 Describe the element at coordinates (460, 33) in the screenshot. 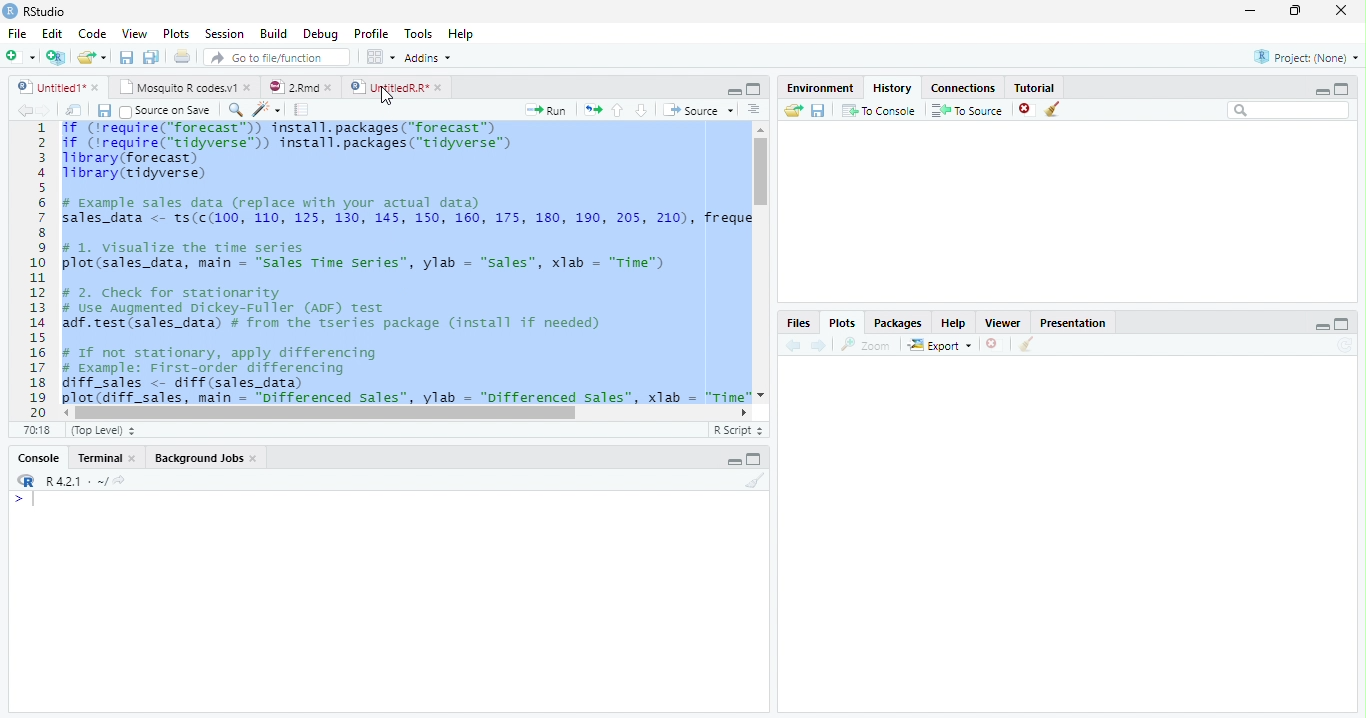

I see `Help` at that location.